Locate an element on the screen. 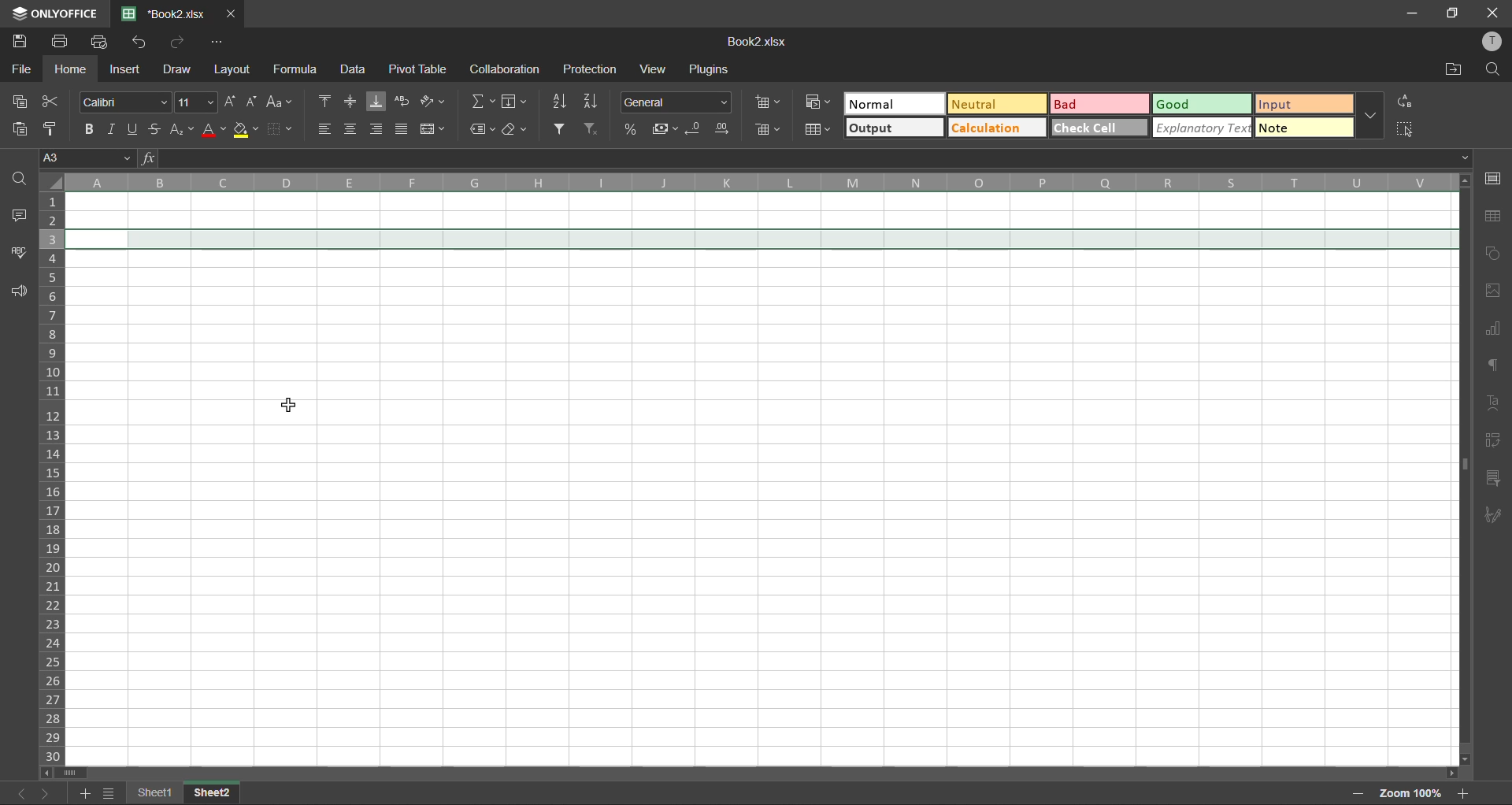 The height and width of the screenshot is (805, 1512). borders is located at coordinates (278, 128).